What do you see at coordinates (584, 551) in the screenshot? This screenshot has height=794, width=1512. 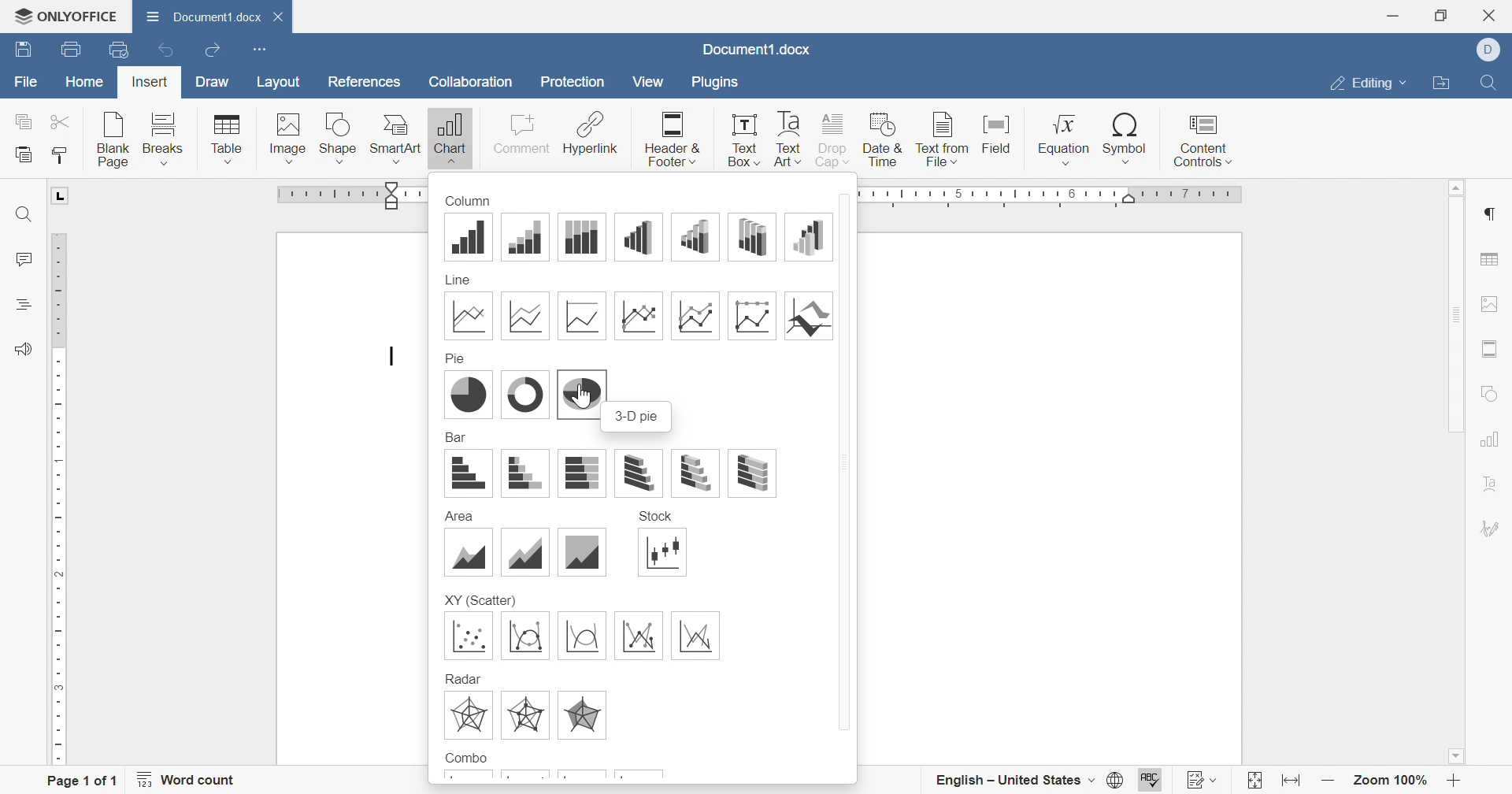 I see `100% Stacked area` at bounding box center [584, 551].